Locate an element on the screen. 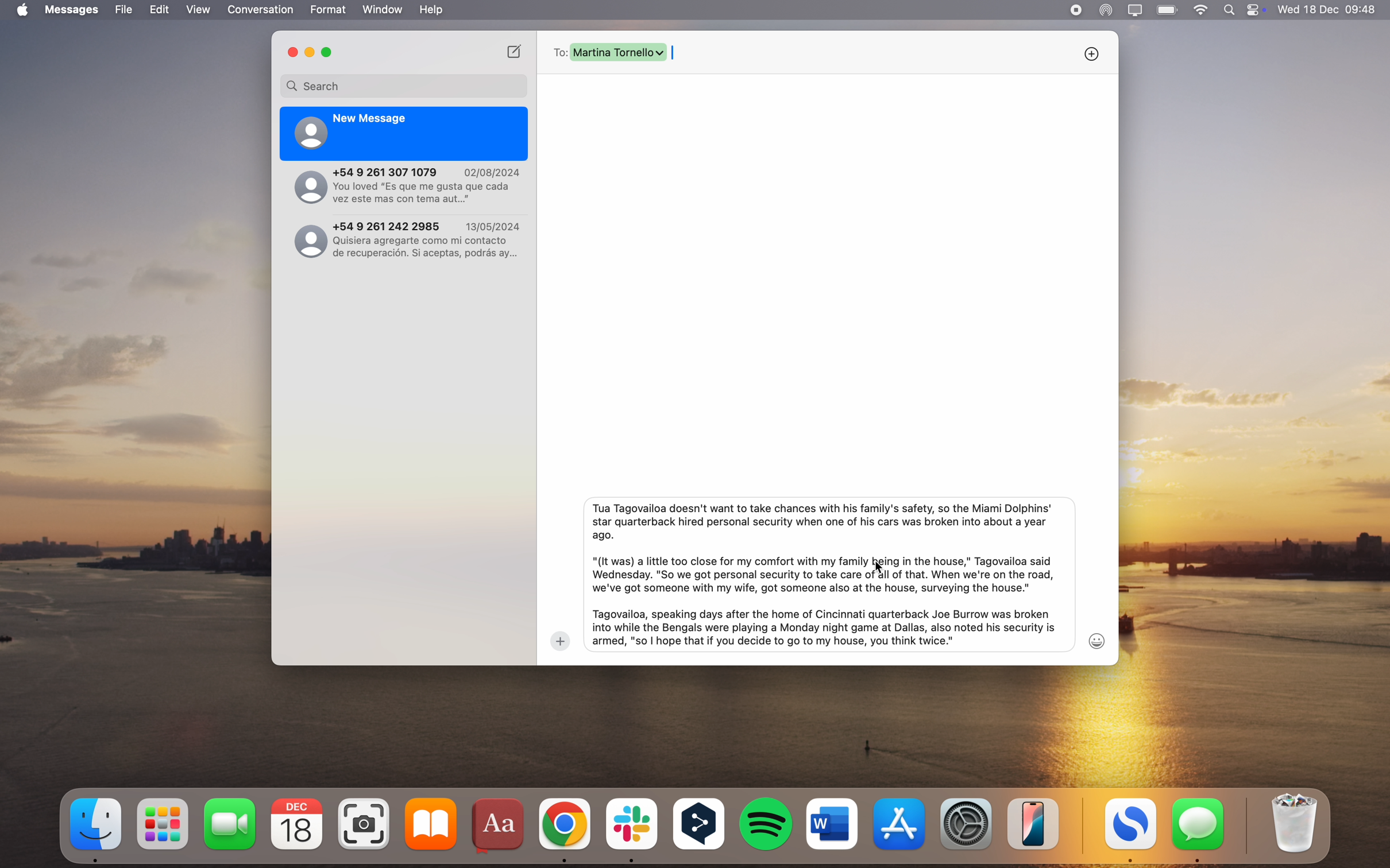 This screenshot has width=1390, height=868. conversation is located at coordinates (261, 10).